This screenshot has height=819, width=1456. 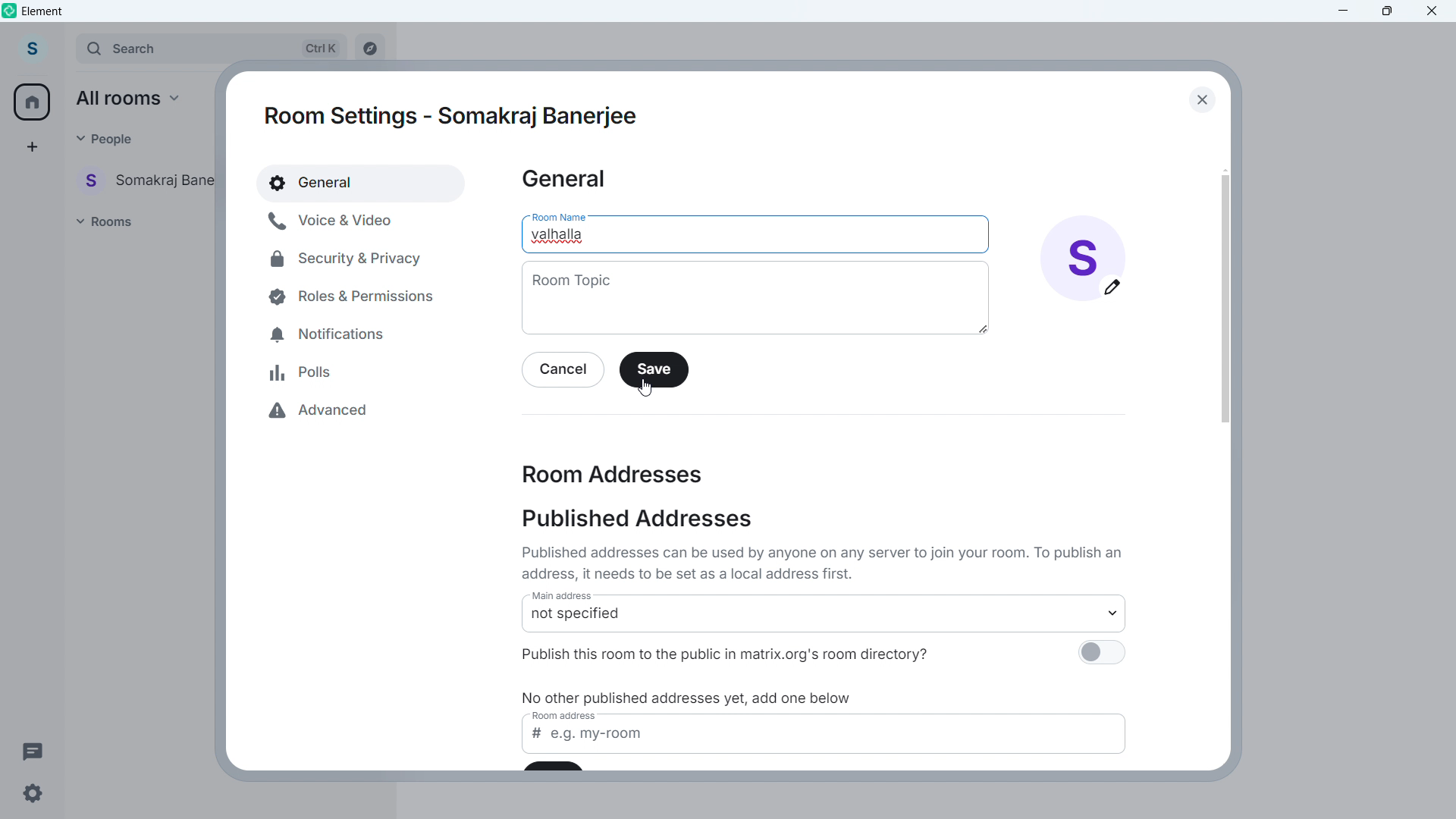 What do you see at coordinates (568, 717) in the screenshot?
I see `room address ` at bounding box center [568, 717].